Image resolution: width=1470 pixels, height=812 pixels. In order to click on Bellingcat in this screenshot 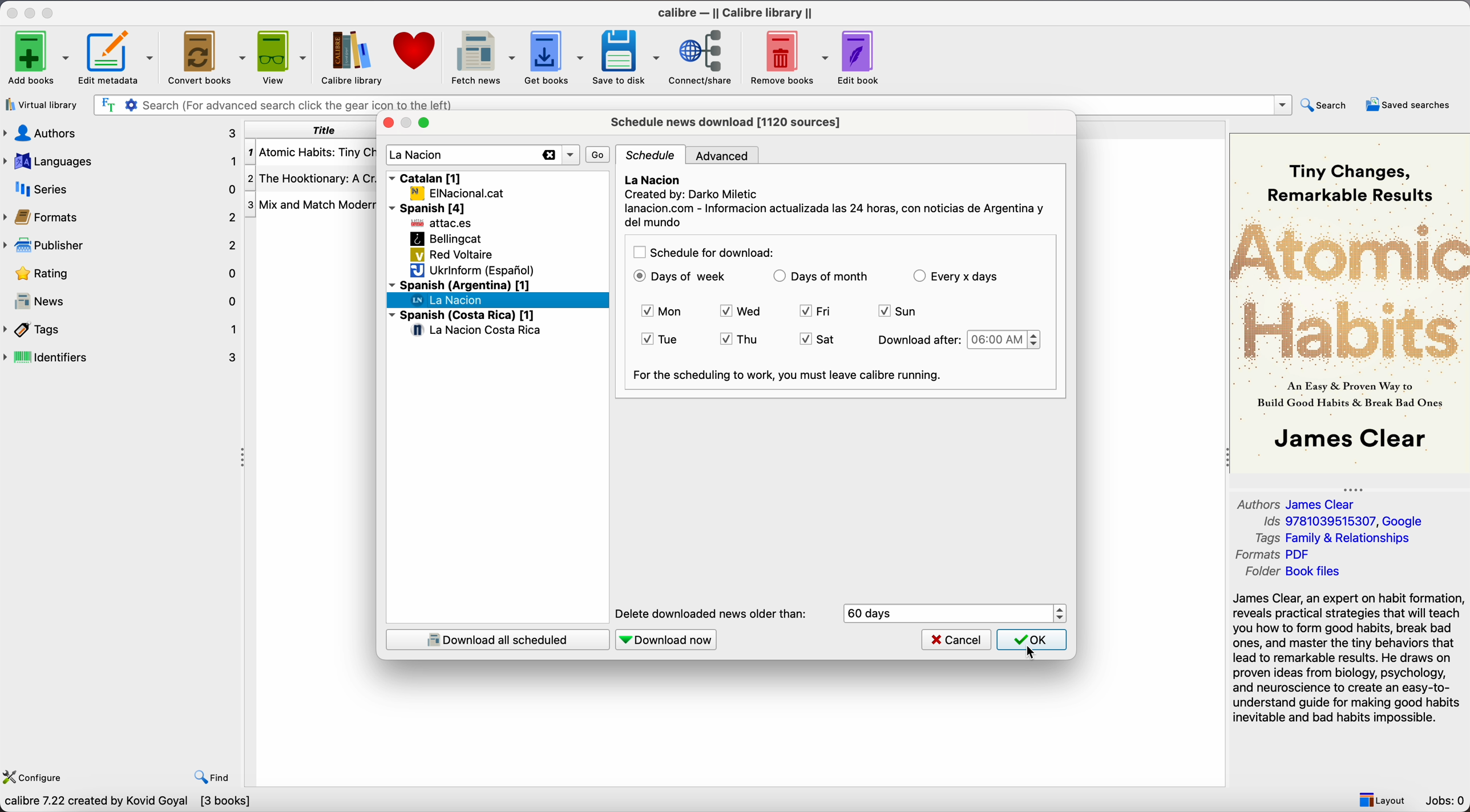, I will do `click(446, 239)`.